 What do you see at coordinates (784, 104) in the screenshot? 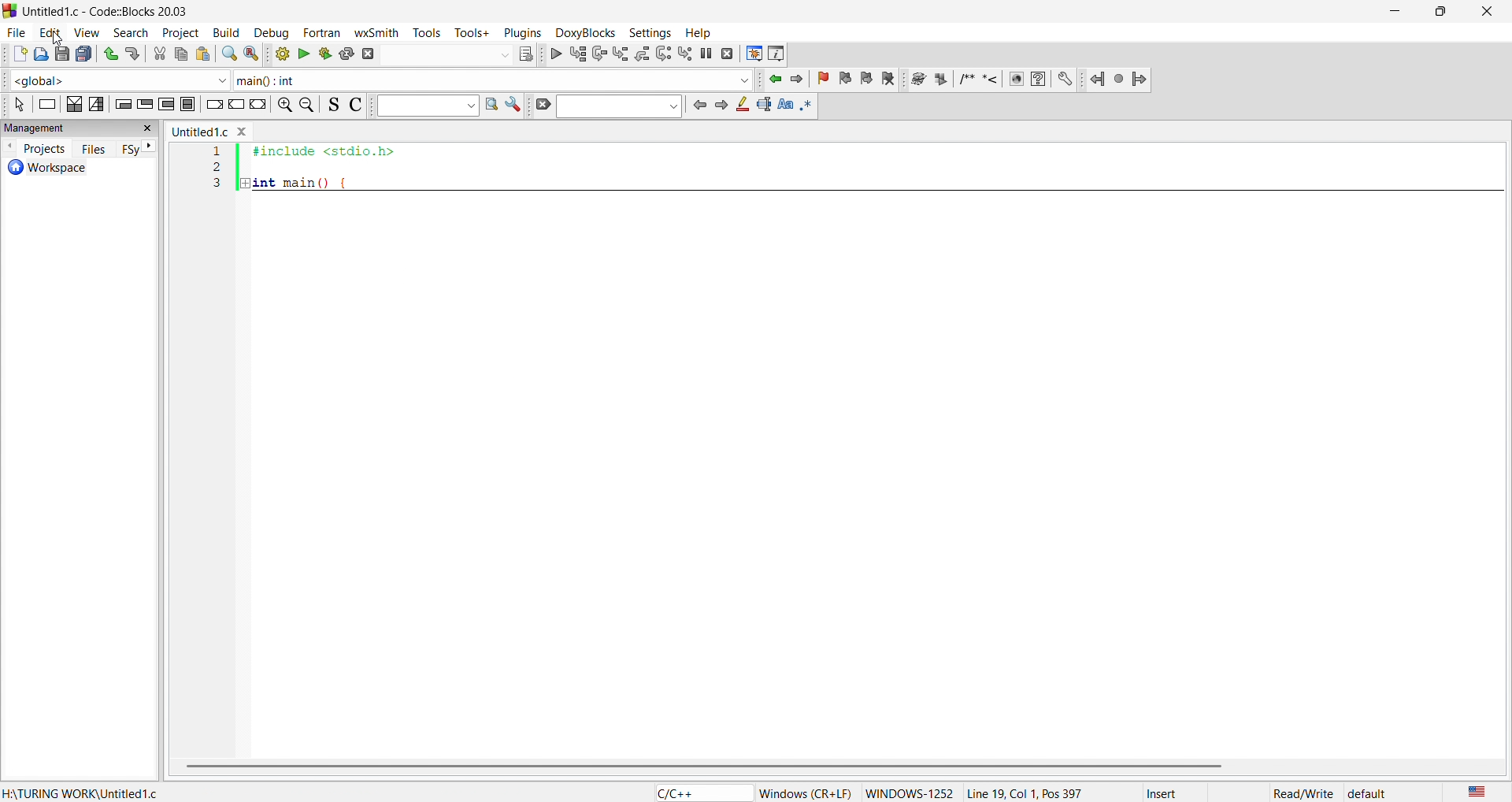
I see `match text` at bounding box center [784, 104].